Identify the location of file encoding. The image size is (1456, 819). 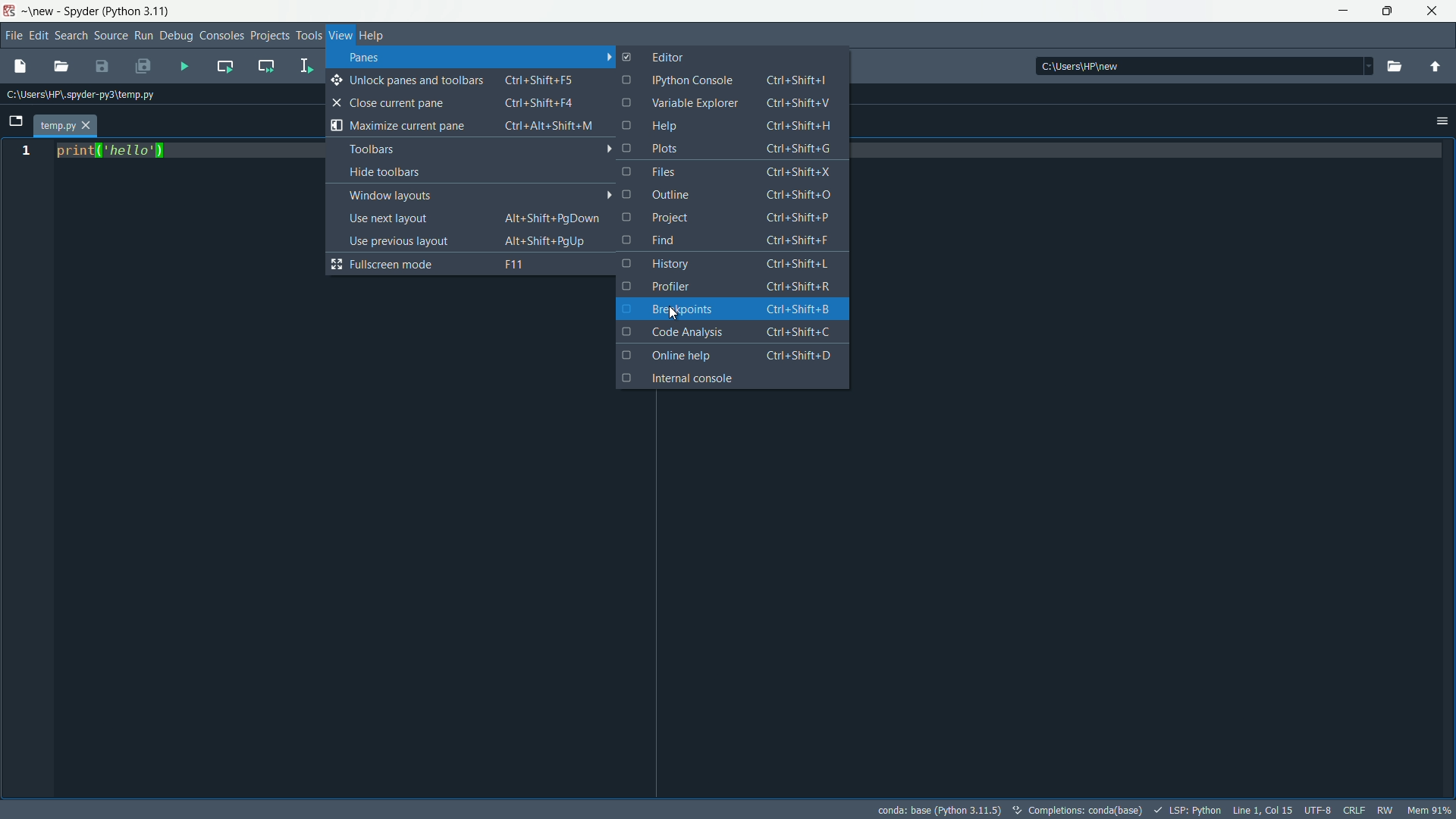
(1317, 810).